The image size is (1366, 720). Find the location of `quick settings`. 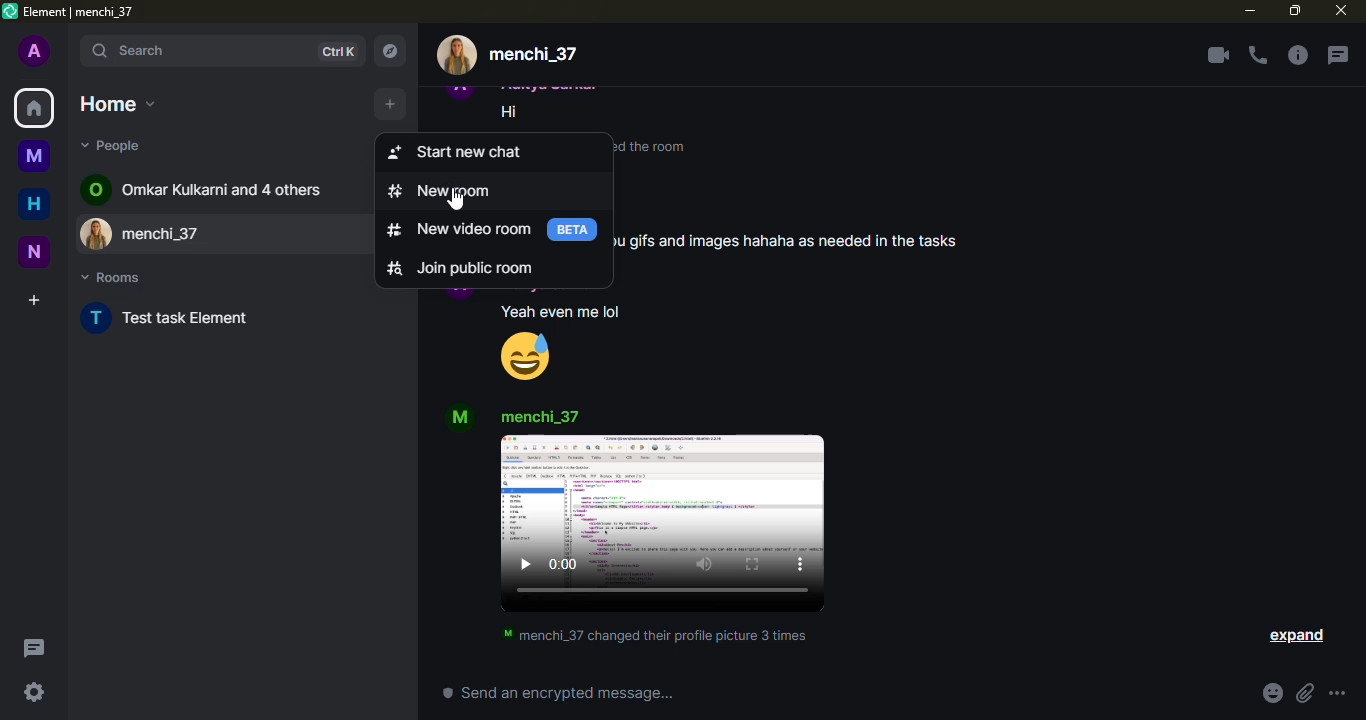

quick settings is located at coordinates (34, 692).